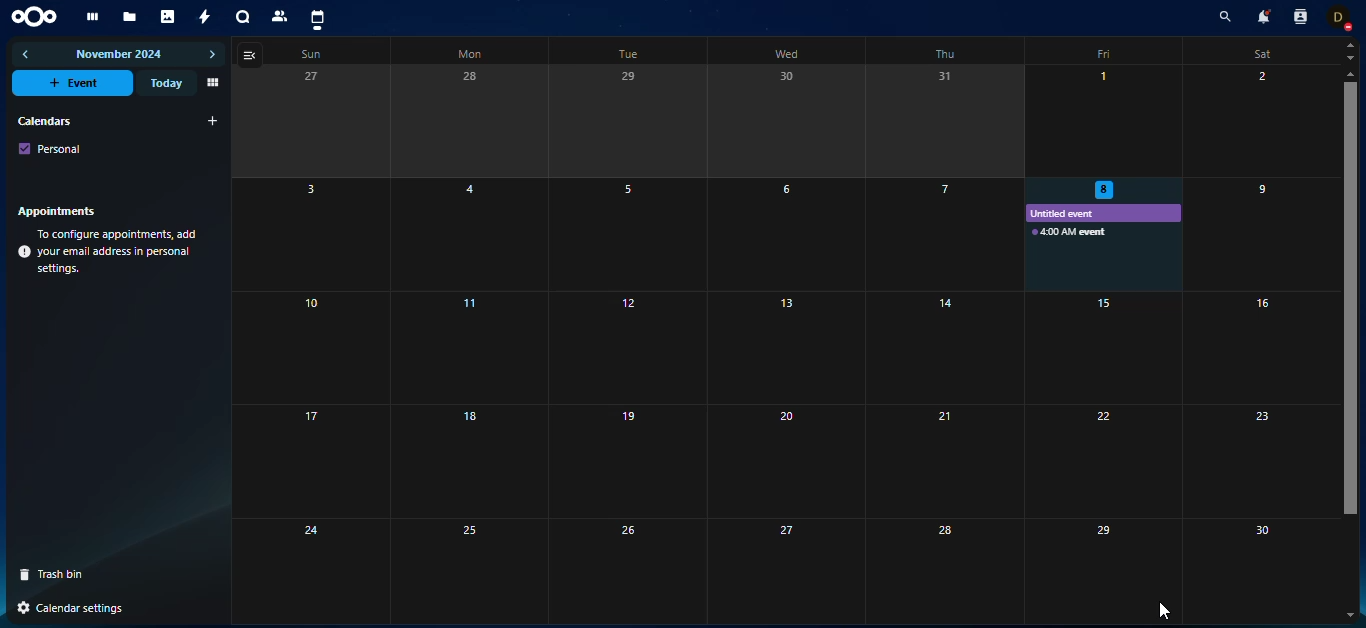 The width and height of the screenshot is (1366, 628). What do you see at coordinates (308, 55) in the screenshot?
I see `sun` at bounding box center [308, 55].